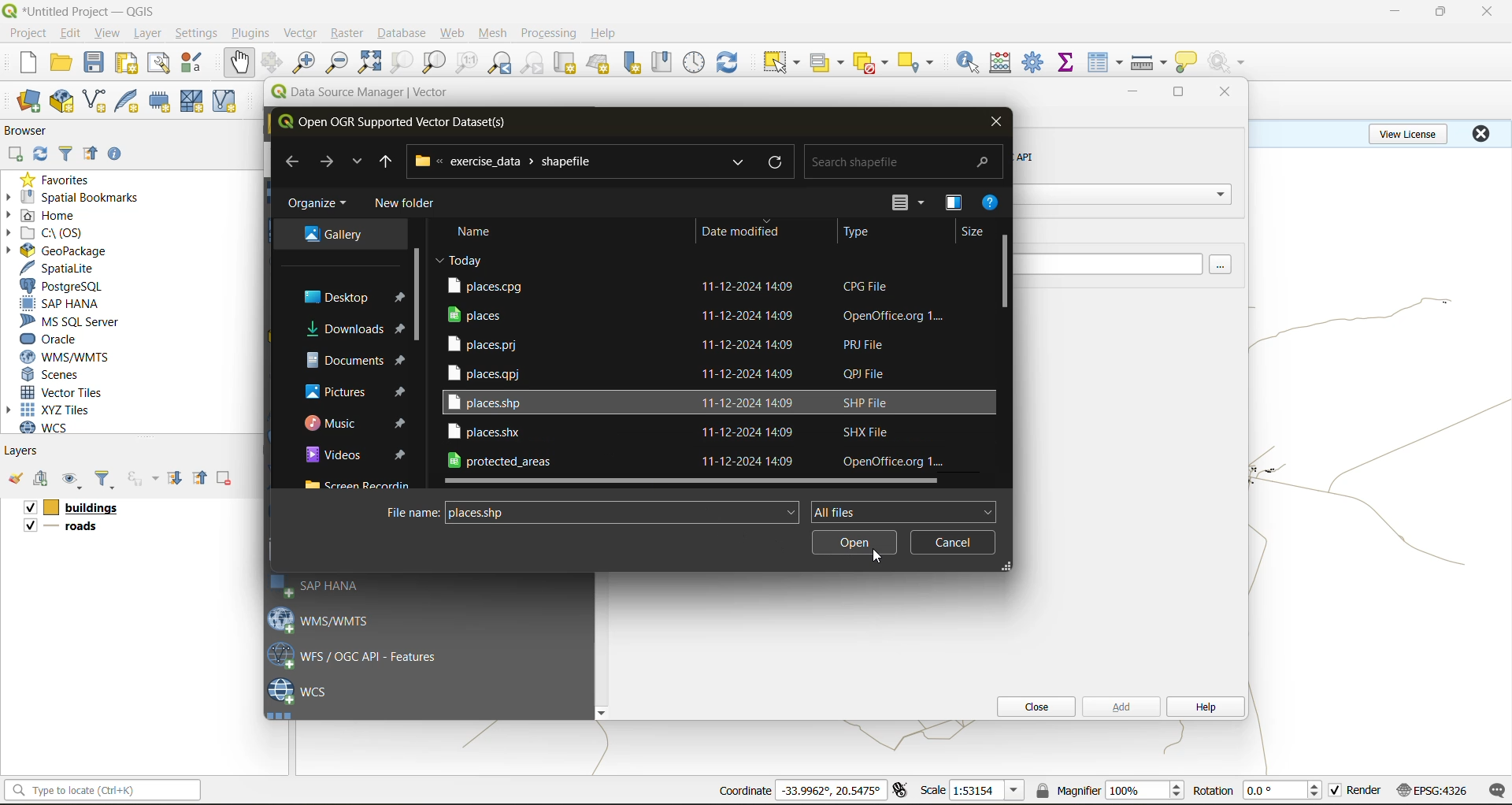 The width and height of the screenshot is (1512, 805). Describe the element at coordinates (348, 32) in the screenshot. I see `raster` at that location.